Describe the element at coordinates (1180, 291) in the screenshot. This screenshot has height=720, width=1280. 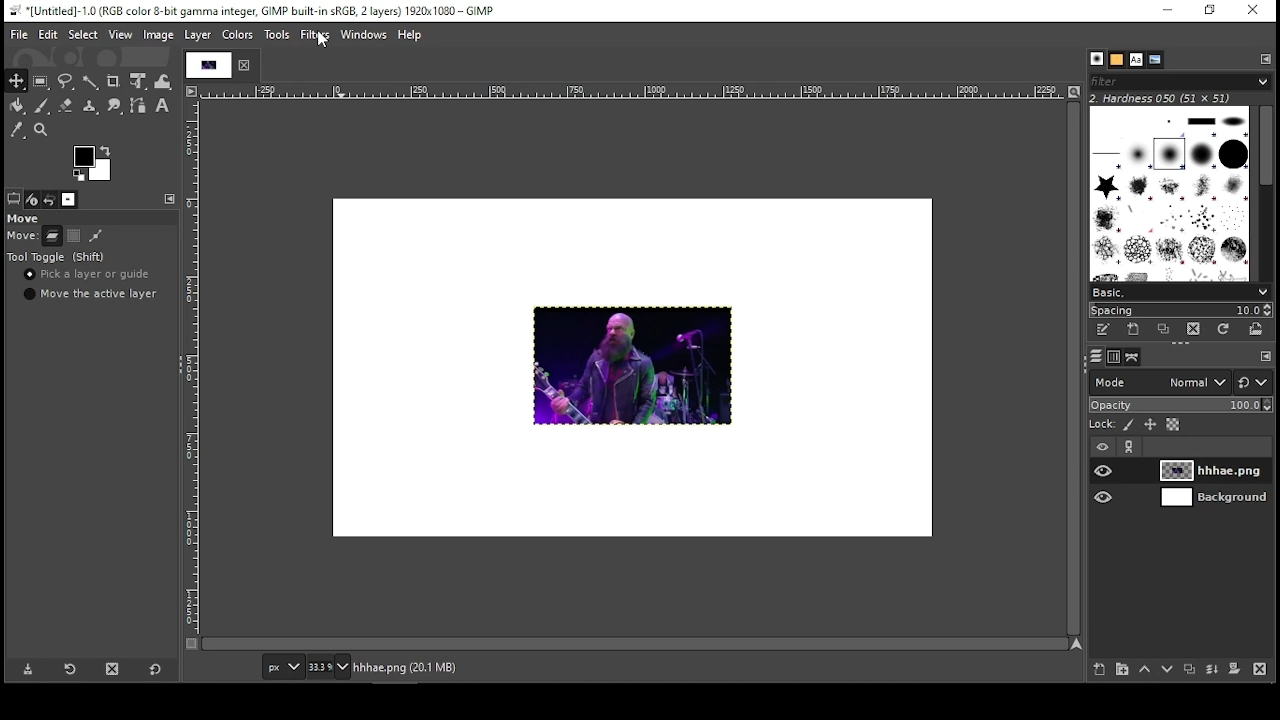
I see `select brush preset` at that location.